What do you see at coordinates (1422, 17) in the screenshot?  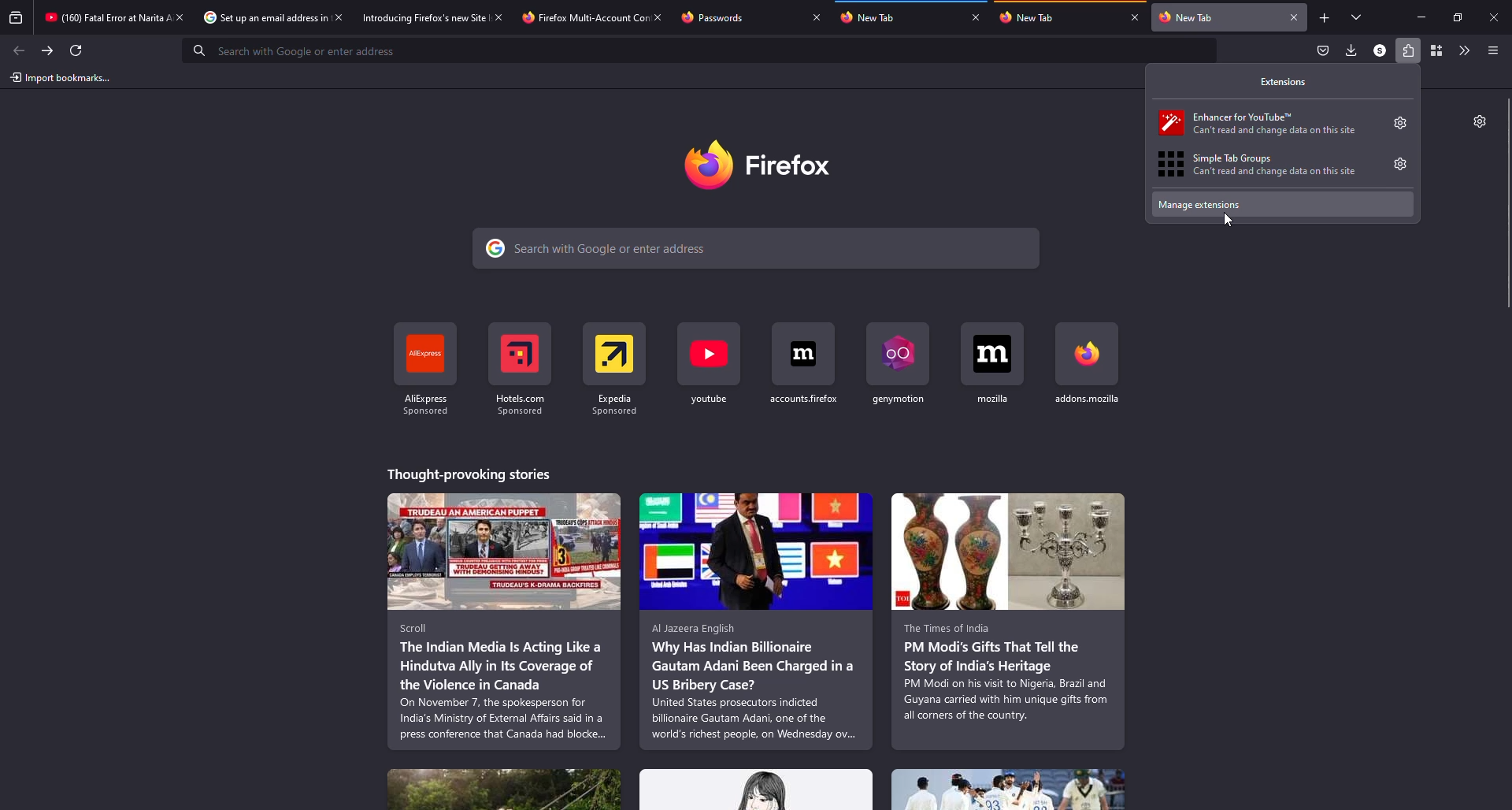 I see `minimize` at bounding box center [1422, 17].